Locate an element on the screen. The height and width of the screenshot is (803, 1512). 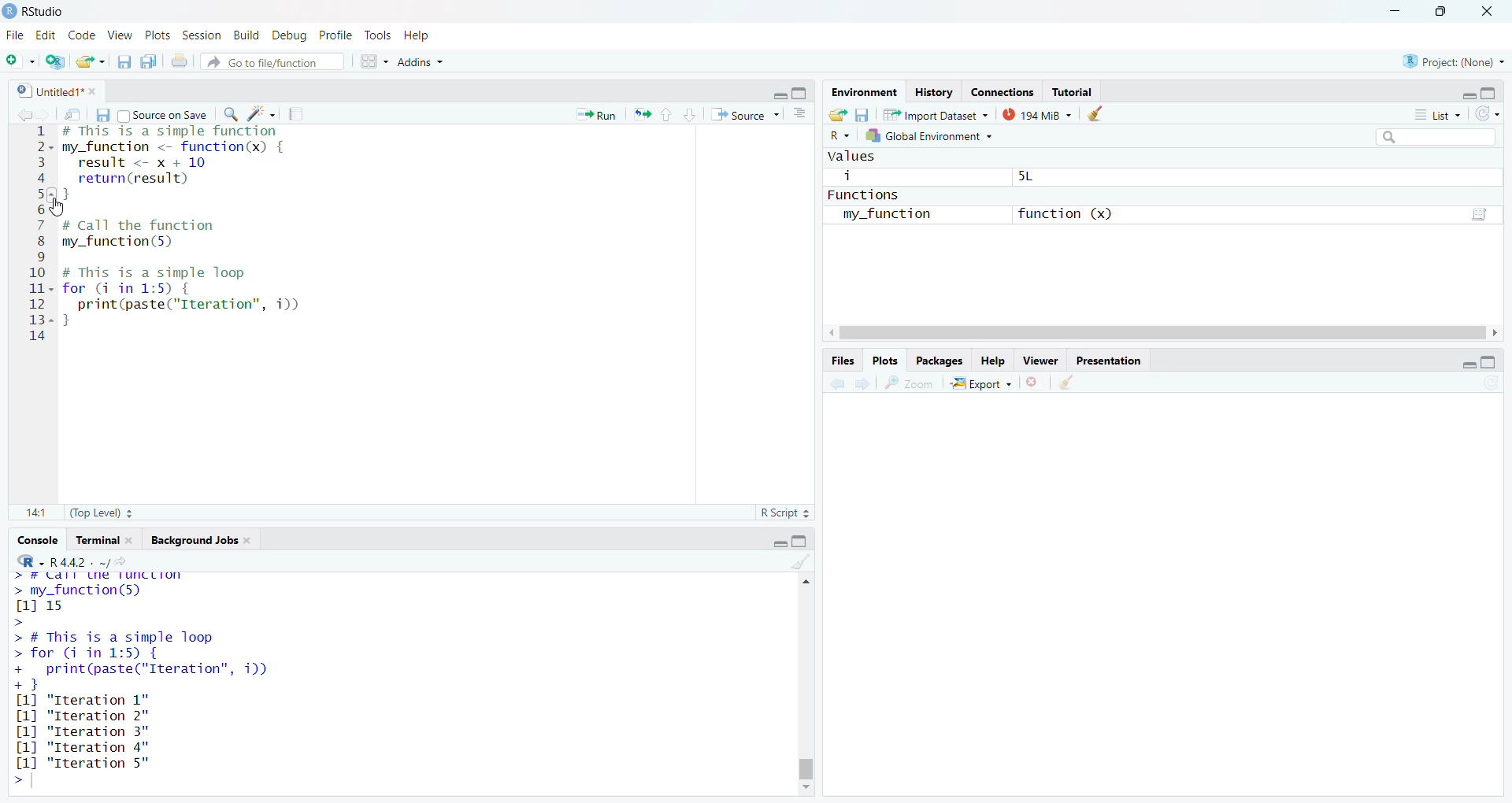
minimize is located at coordinates (1464, 92).